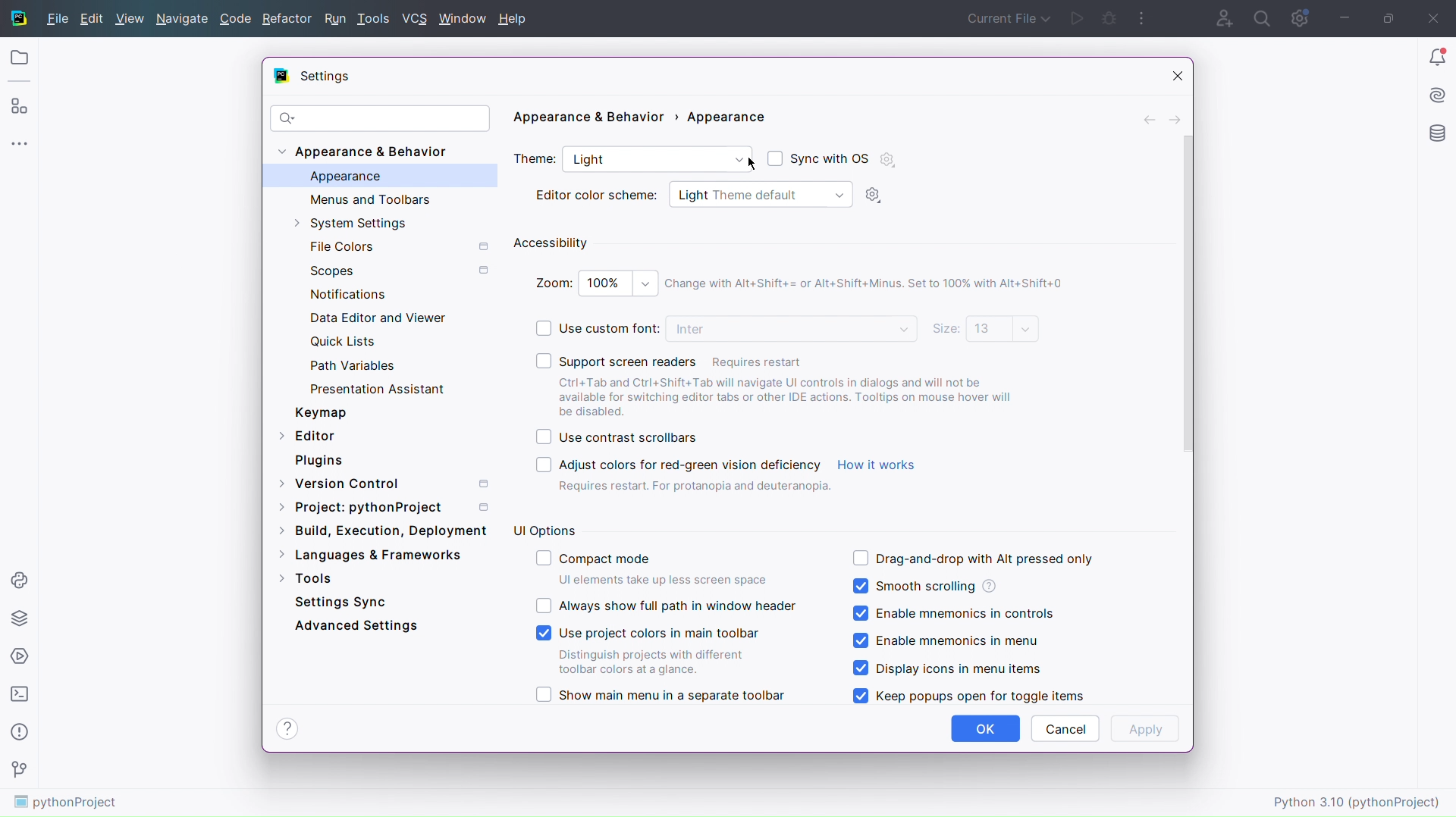 The width and height of the screenshot is (1456, 817). I want to click on Path Variables, so click(356, 365).